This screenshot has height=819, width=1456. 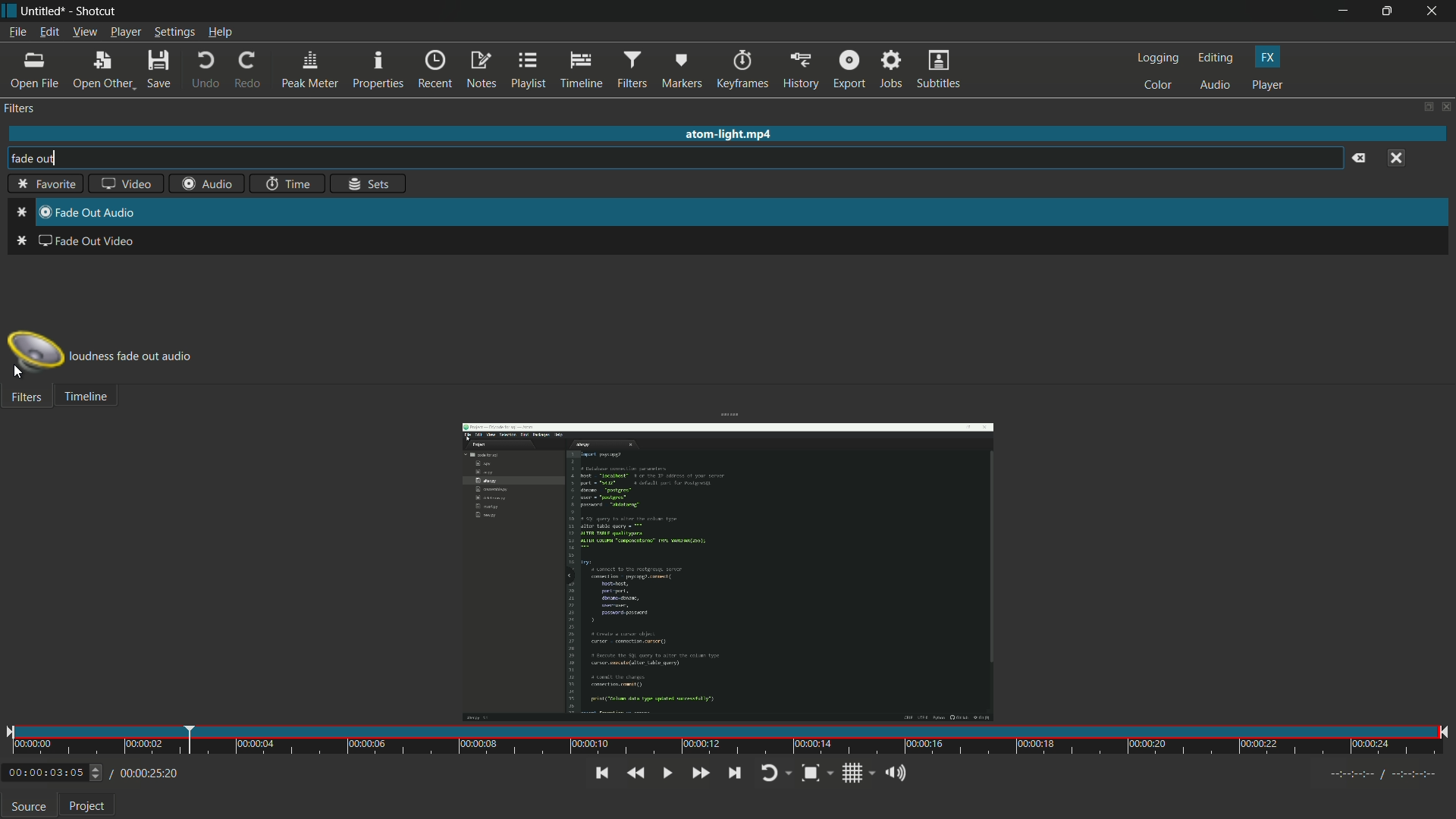 I want to click on export, so click(x=849, y=68).